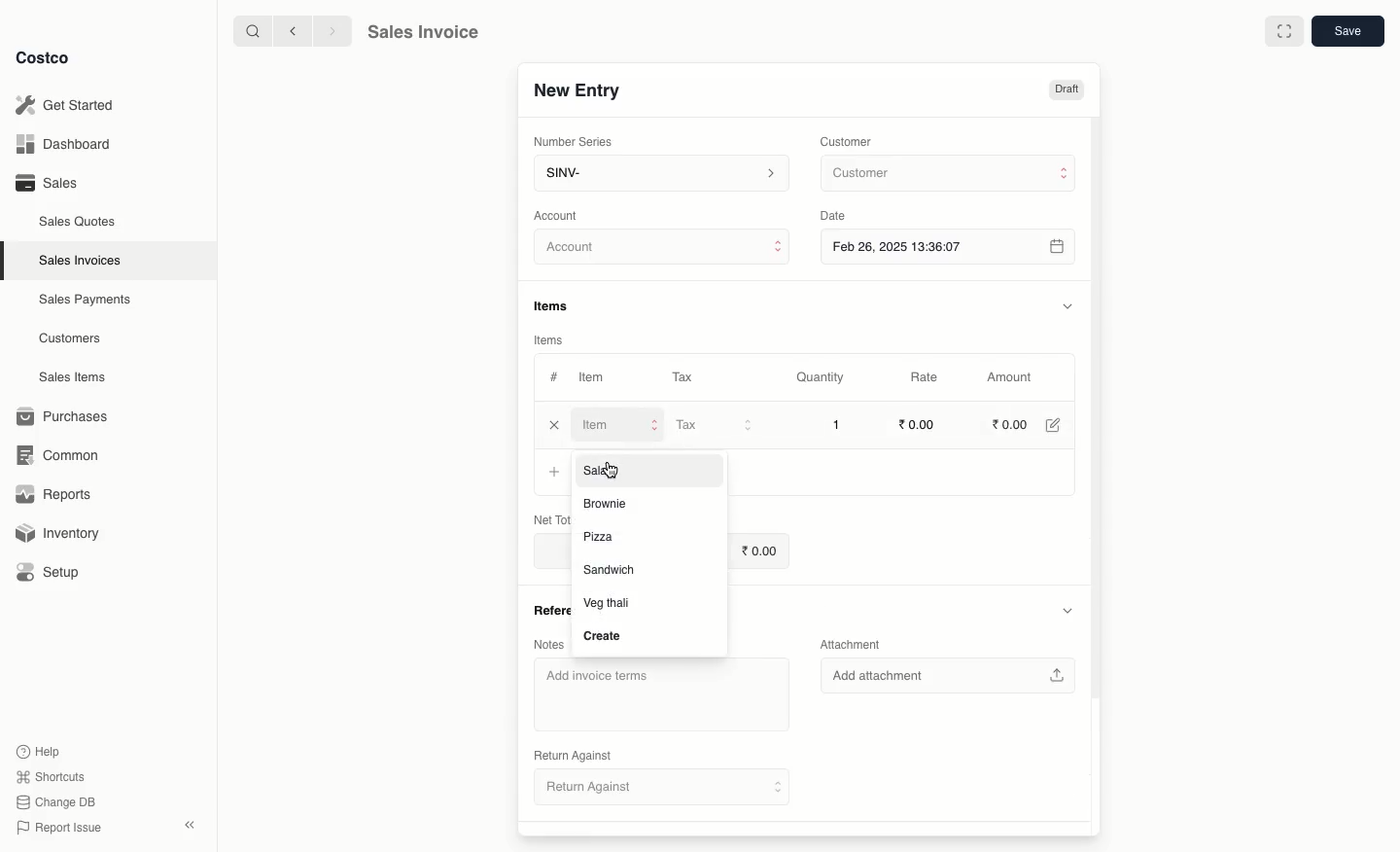 The height and width of the screenshot is (852, 1400). I want to click on Veg thali, so click(608, 603).